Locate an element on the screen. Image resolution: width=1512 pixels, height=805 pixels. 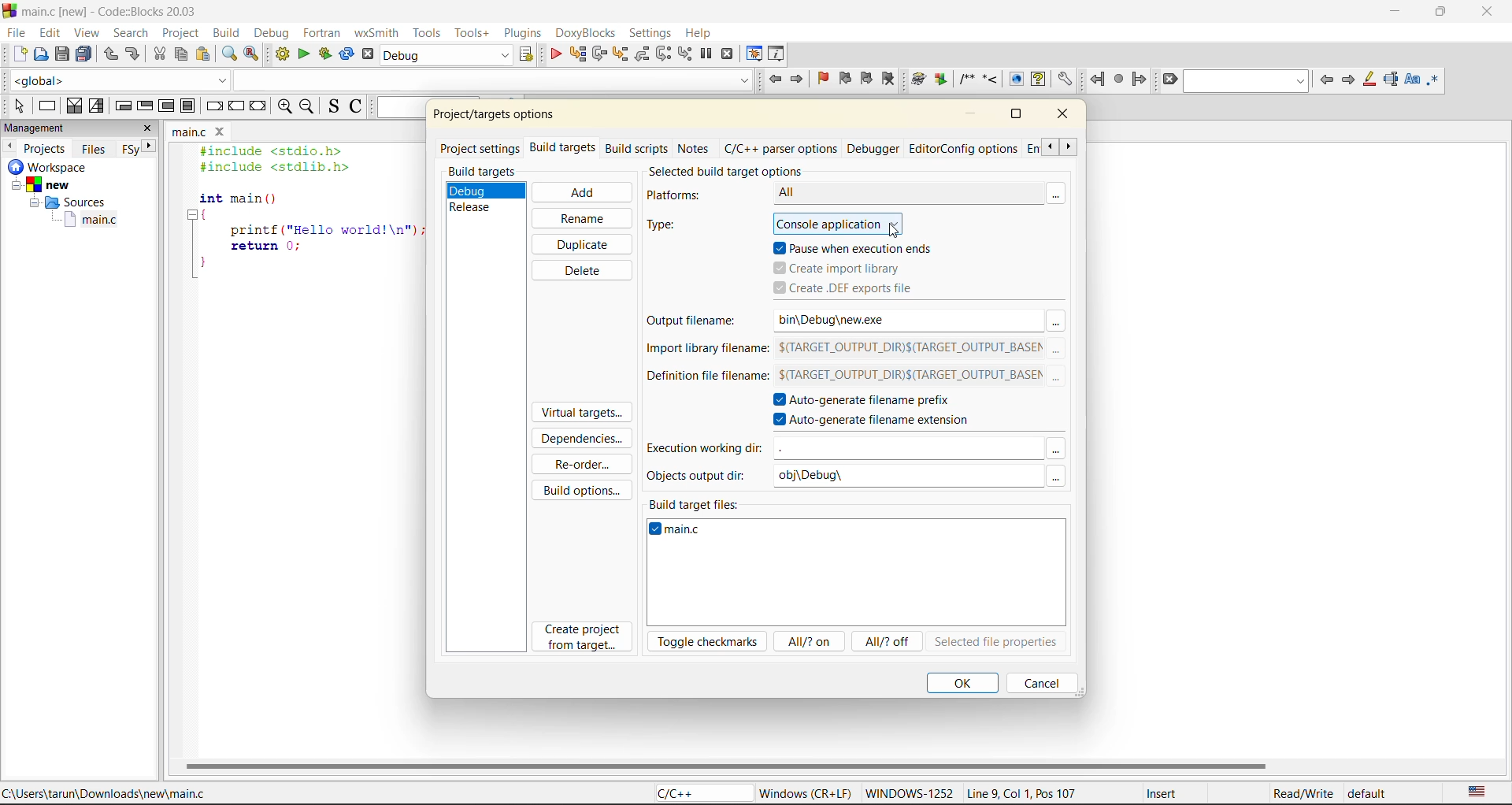
Extract documentation for the current project is located at coordinates (941, 80).